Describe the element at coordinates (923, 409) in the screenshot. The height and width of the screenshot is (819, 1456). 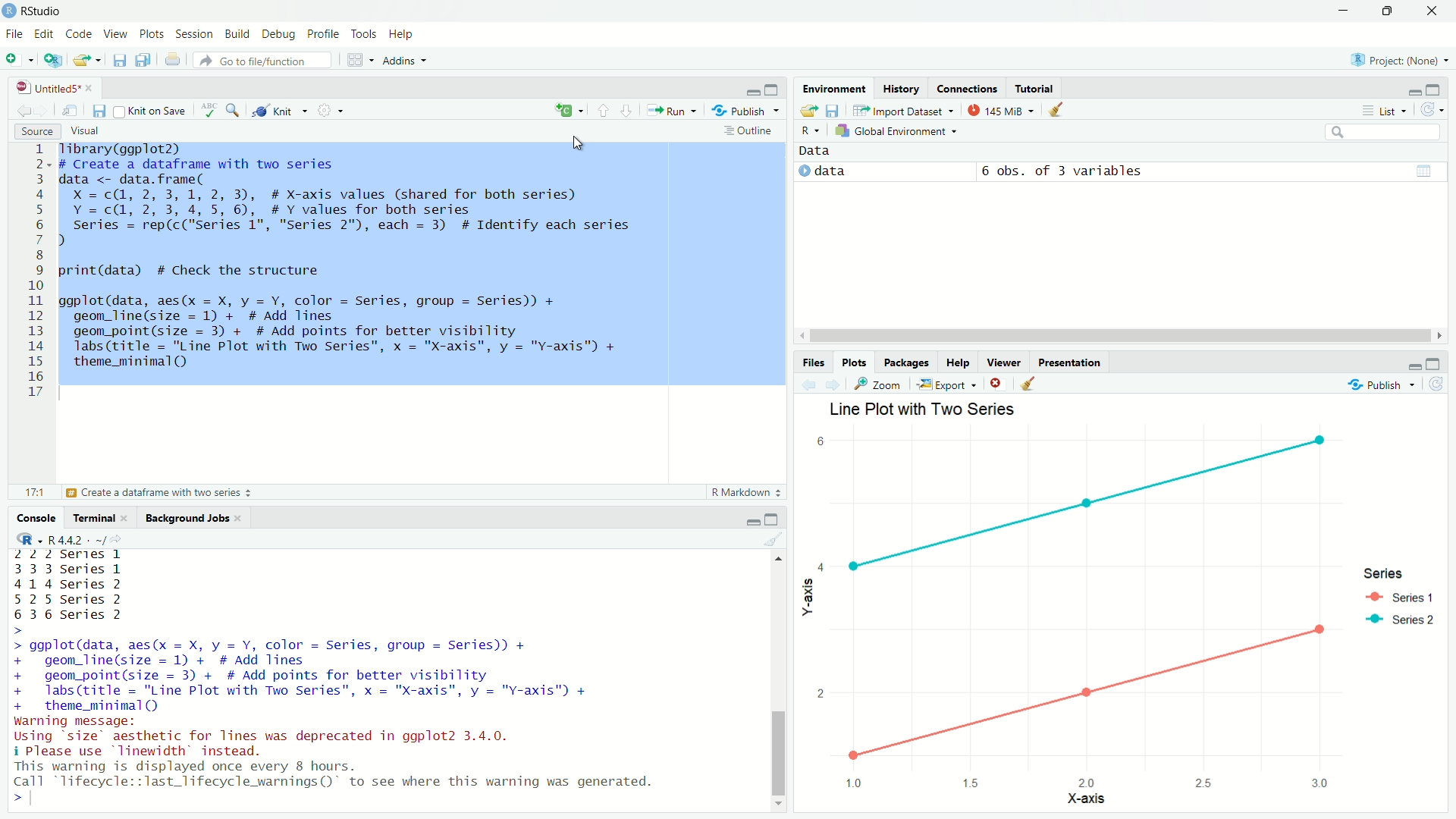
I see `Line Plot with Two series` at that location.